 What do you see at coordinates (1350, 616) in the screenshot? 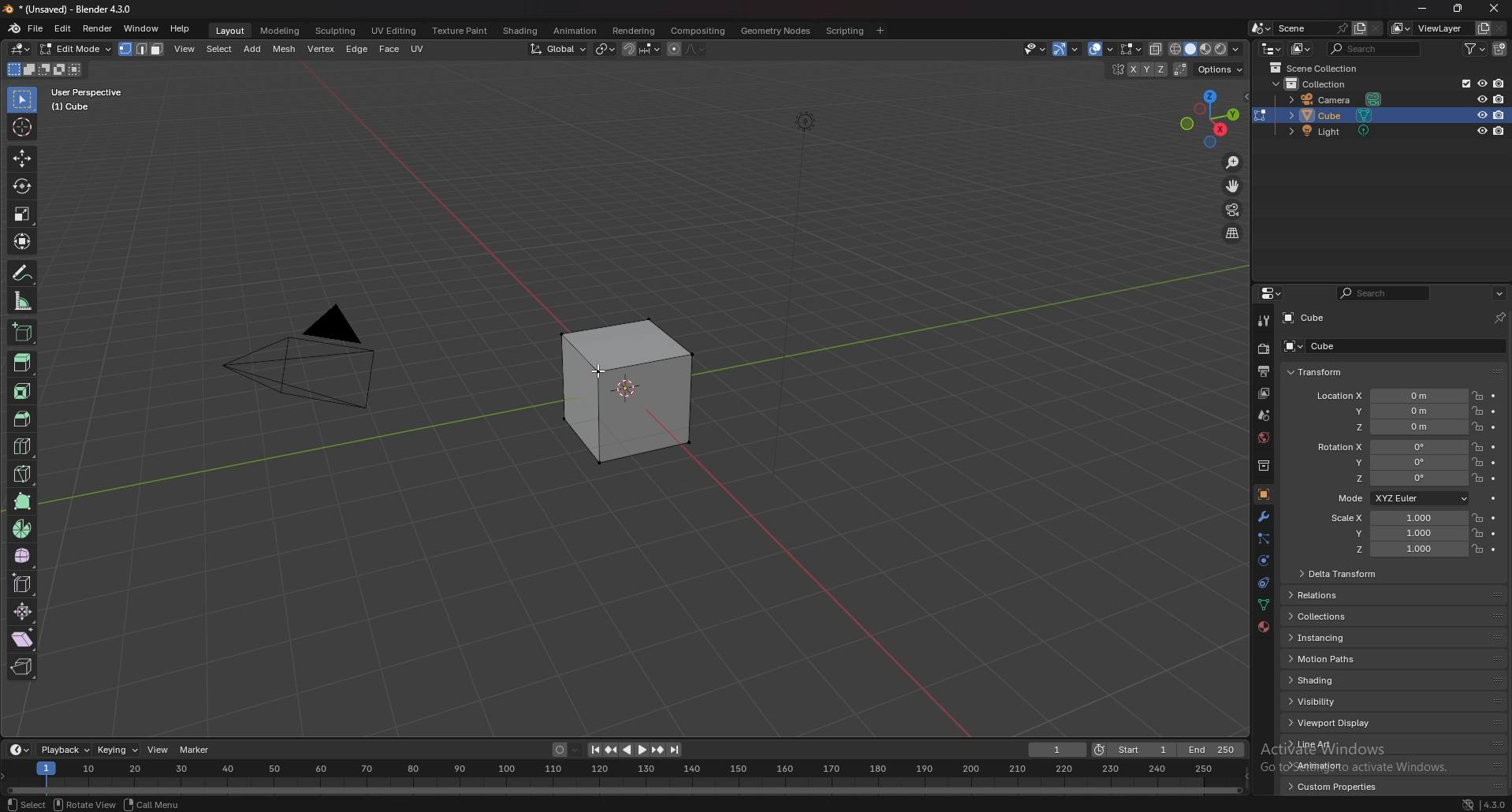
I see `collections` at bounding box center [1350, 616].